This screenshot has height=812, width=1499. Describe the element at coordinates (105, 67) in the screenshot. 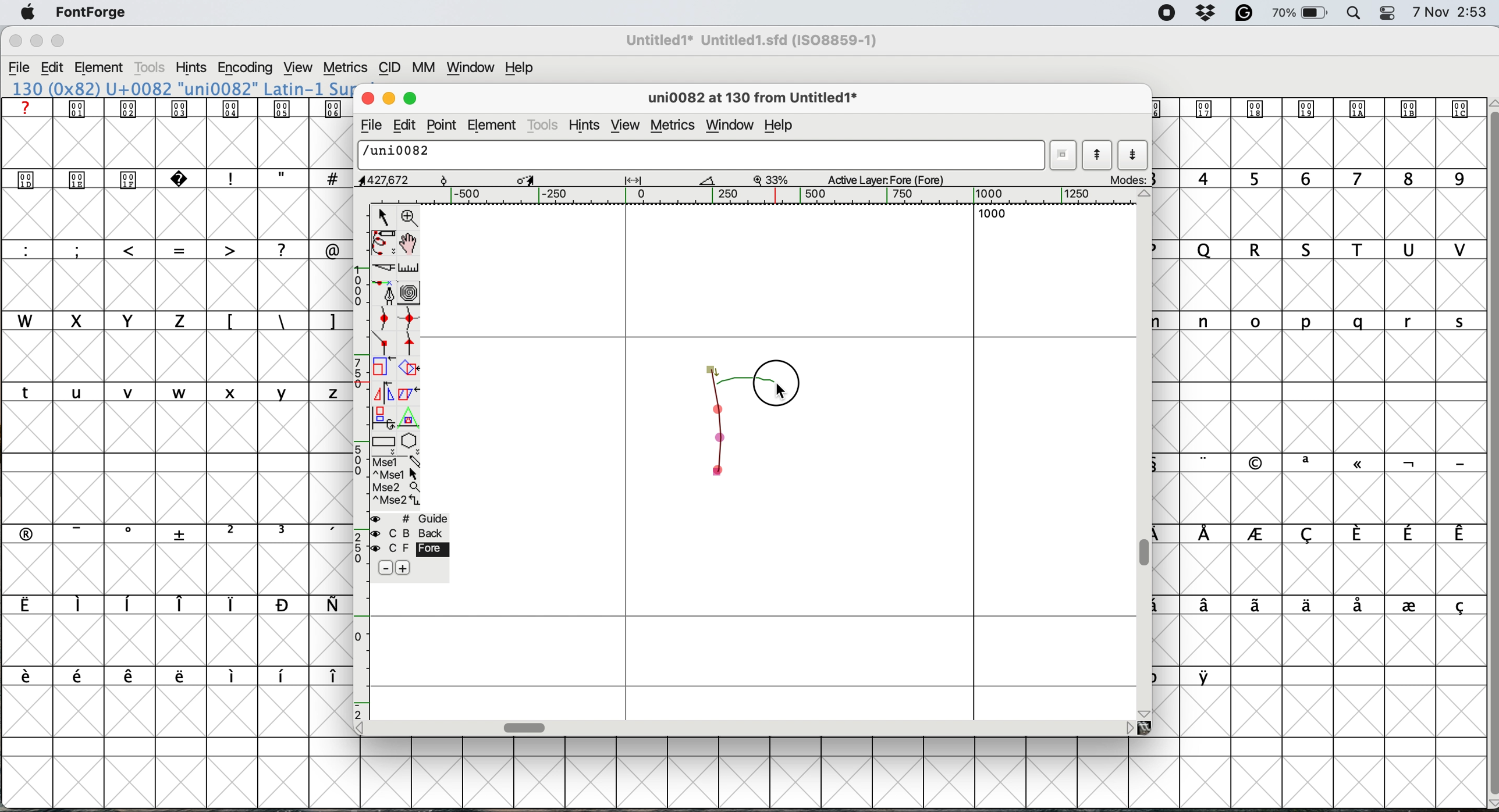

I see `element` at that location.